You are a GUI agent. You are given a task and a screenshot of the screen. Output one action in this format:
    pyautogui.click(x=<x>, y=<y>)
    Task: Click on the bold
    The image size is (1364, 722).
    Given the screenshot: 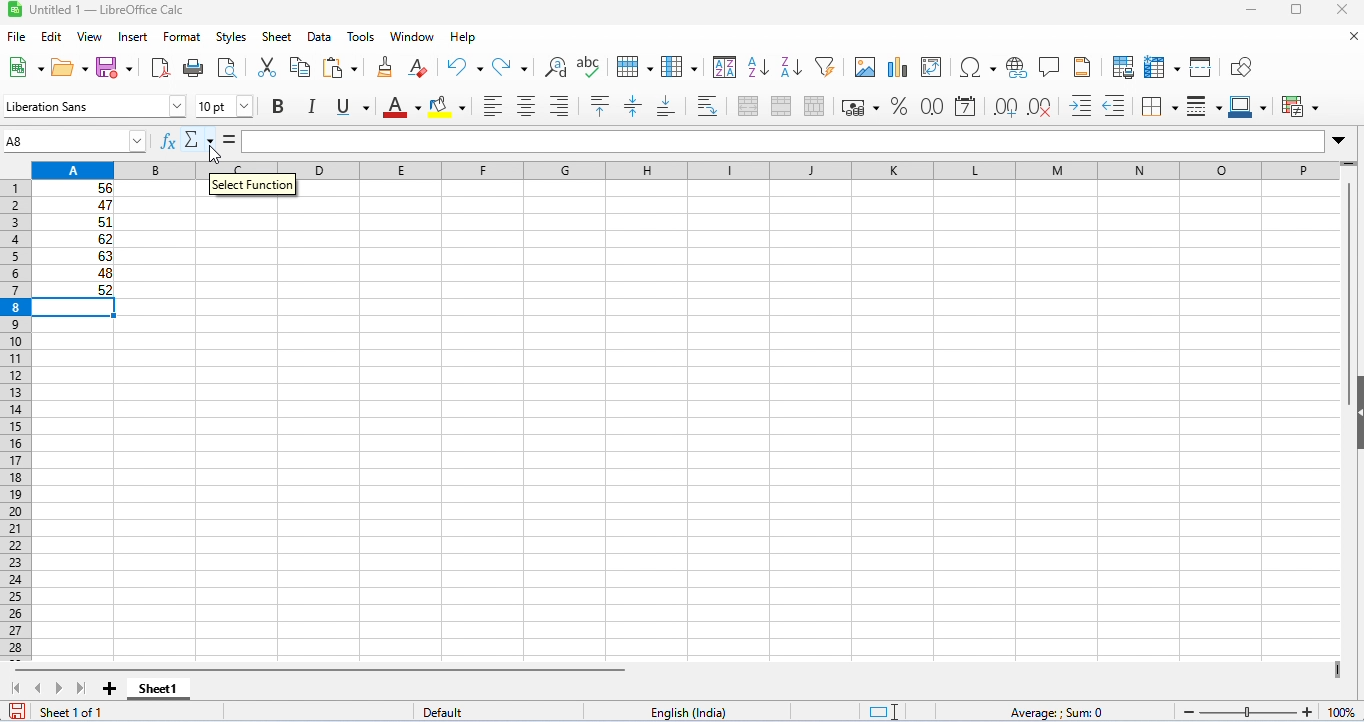 What is the action you would take?
    pyautogui.click(x=278, y=107)
    